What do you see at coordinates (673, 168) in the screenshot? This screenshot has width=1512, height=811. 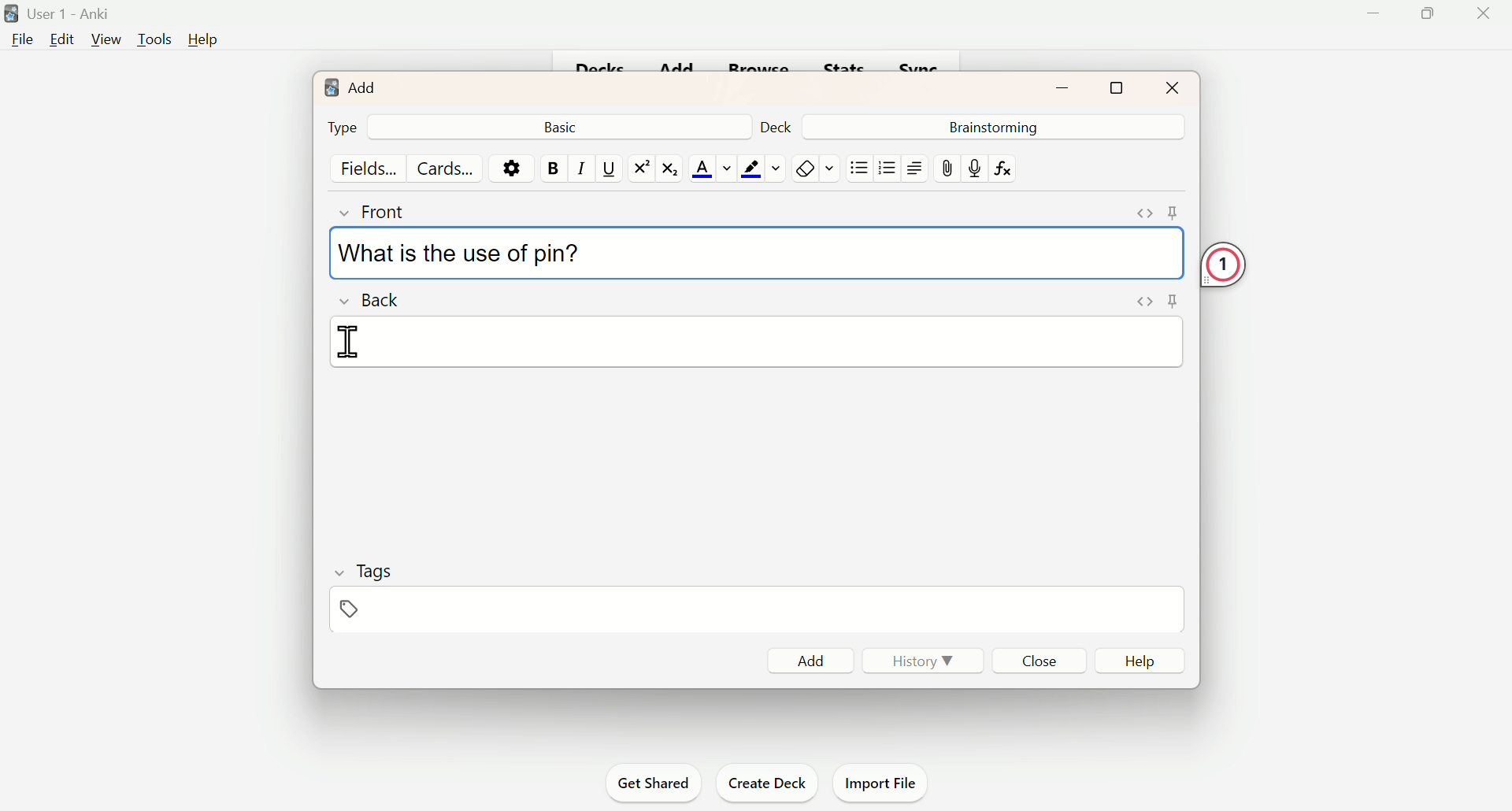 I see `Subscript` at bounding box center [673, 168].